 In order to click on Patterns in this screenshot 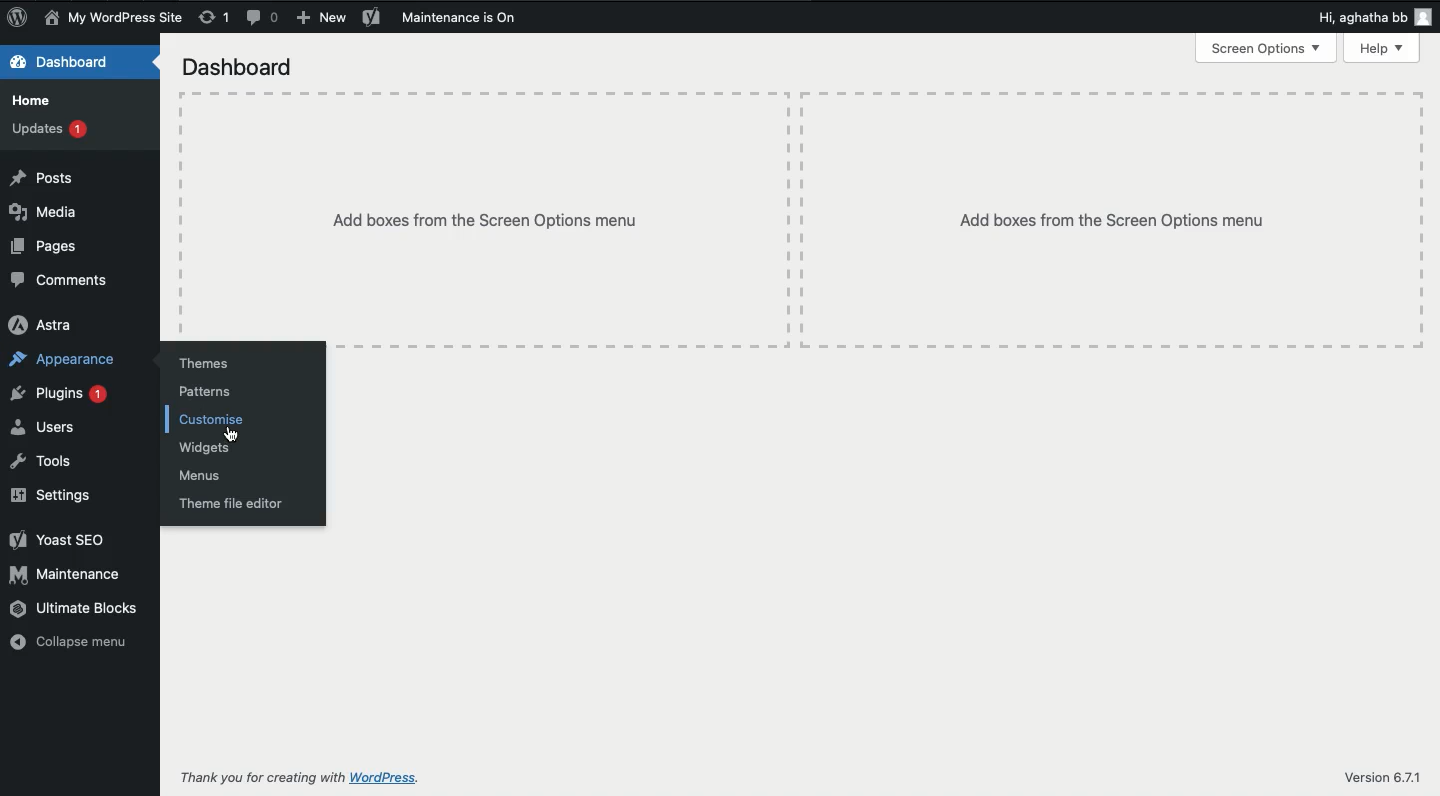, I will do `click(205, 391)`.